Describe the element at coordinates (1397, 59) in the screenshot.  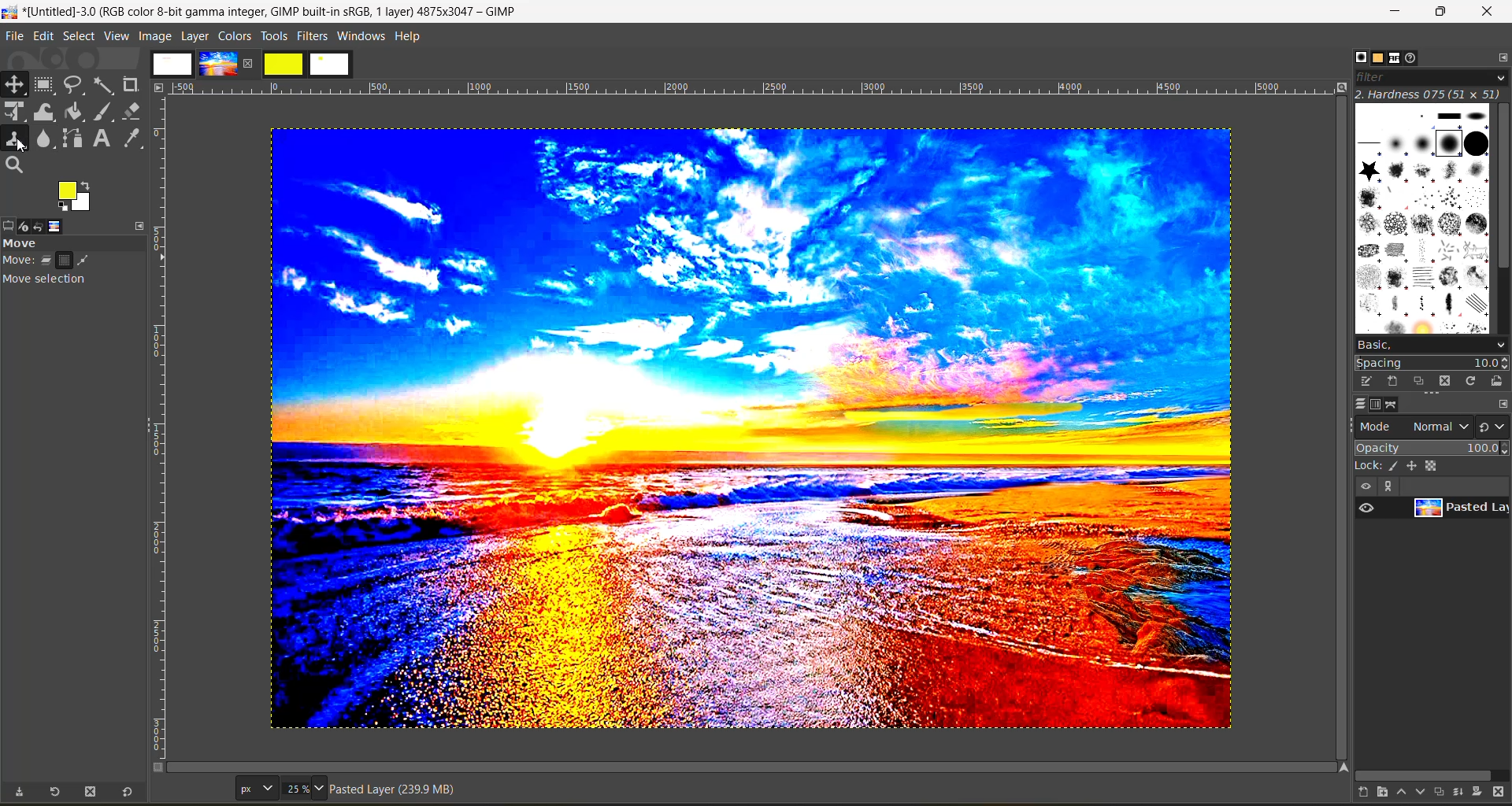
I see `fonts` at that location.